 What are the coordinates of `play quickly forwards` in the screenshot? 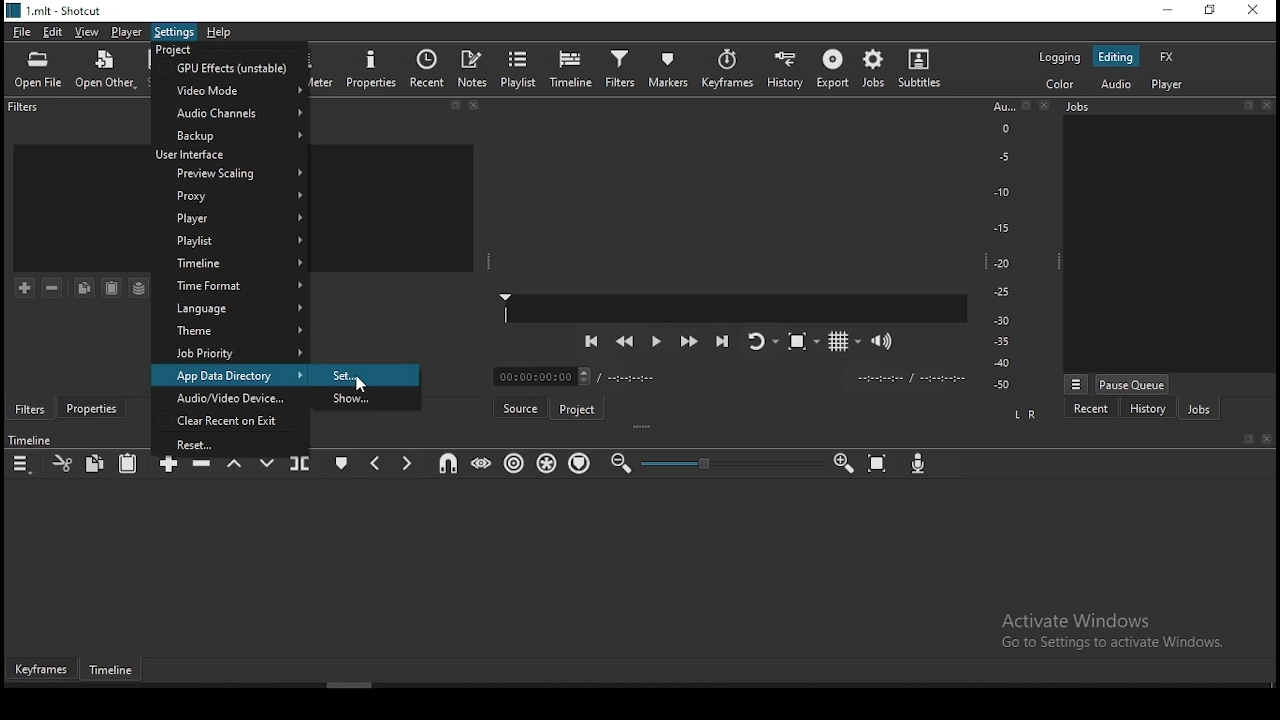 It's located at (691, 342).